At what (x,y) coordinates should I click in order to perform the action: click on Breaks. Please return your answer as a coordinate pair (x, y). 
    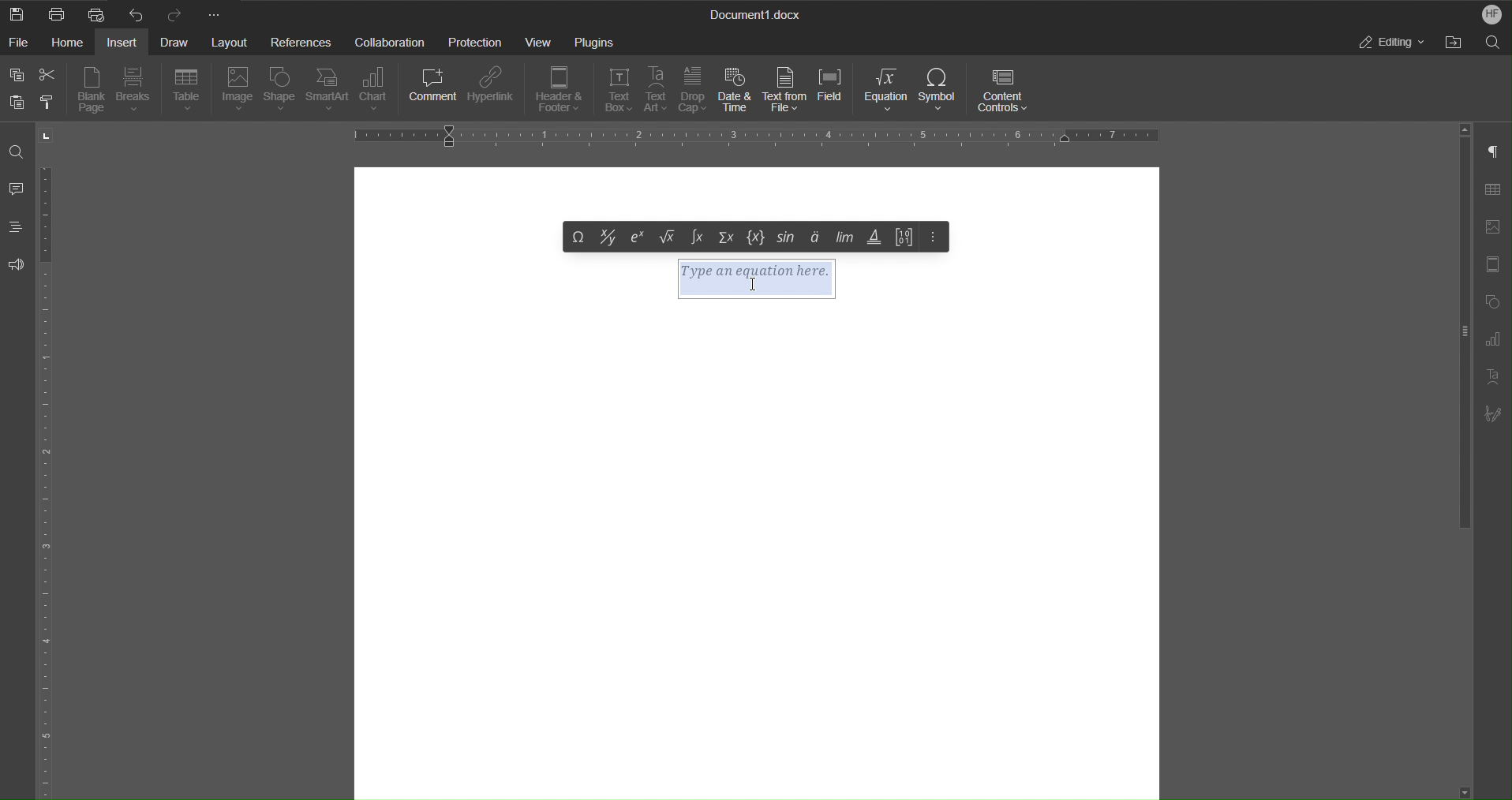
    Looking at the image, I should click on (137, 91).